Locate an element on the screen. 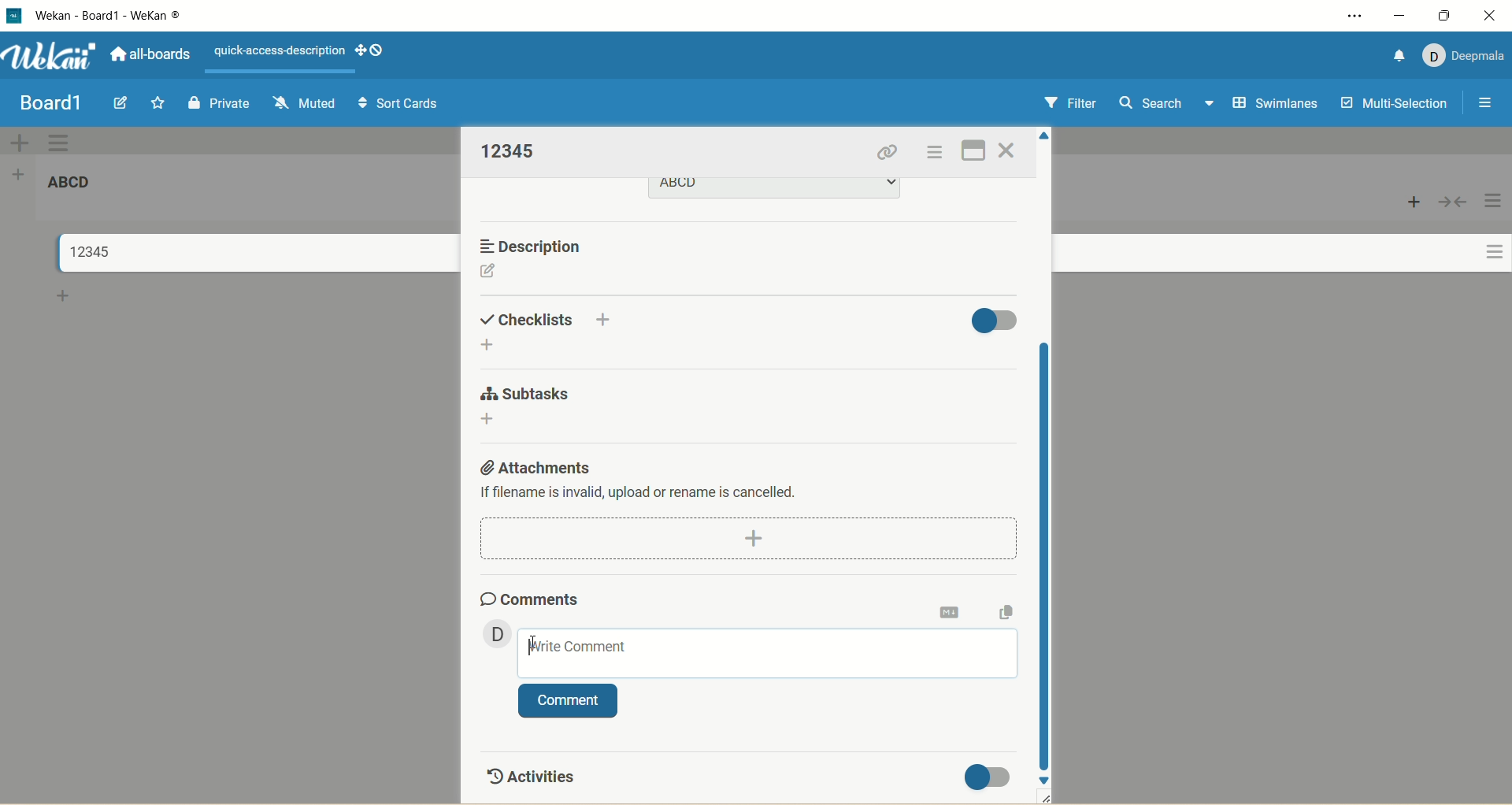  edit is located at coordinates (120, 103).